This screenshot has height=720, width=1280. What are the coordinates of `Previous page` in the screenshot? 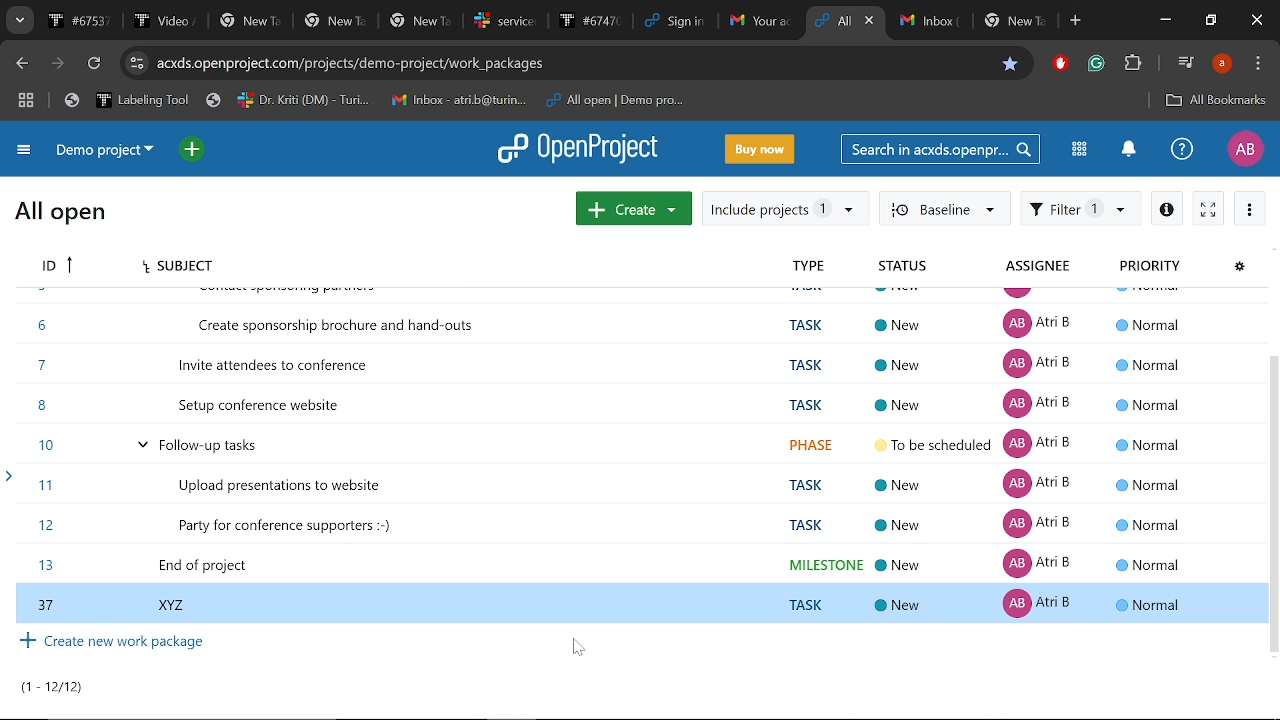 It's located at (25, 65).